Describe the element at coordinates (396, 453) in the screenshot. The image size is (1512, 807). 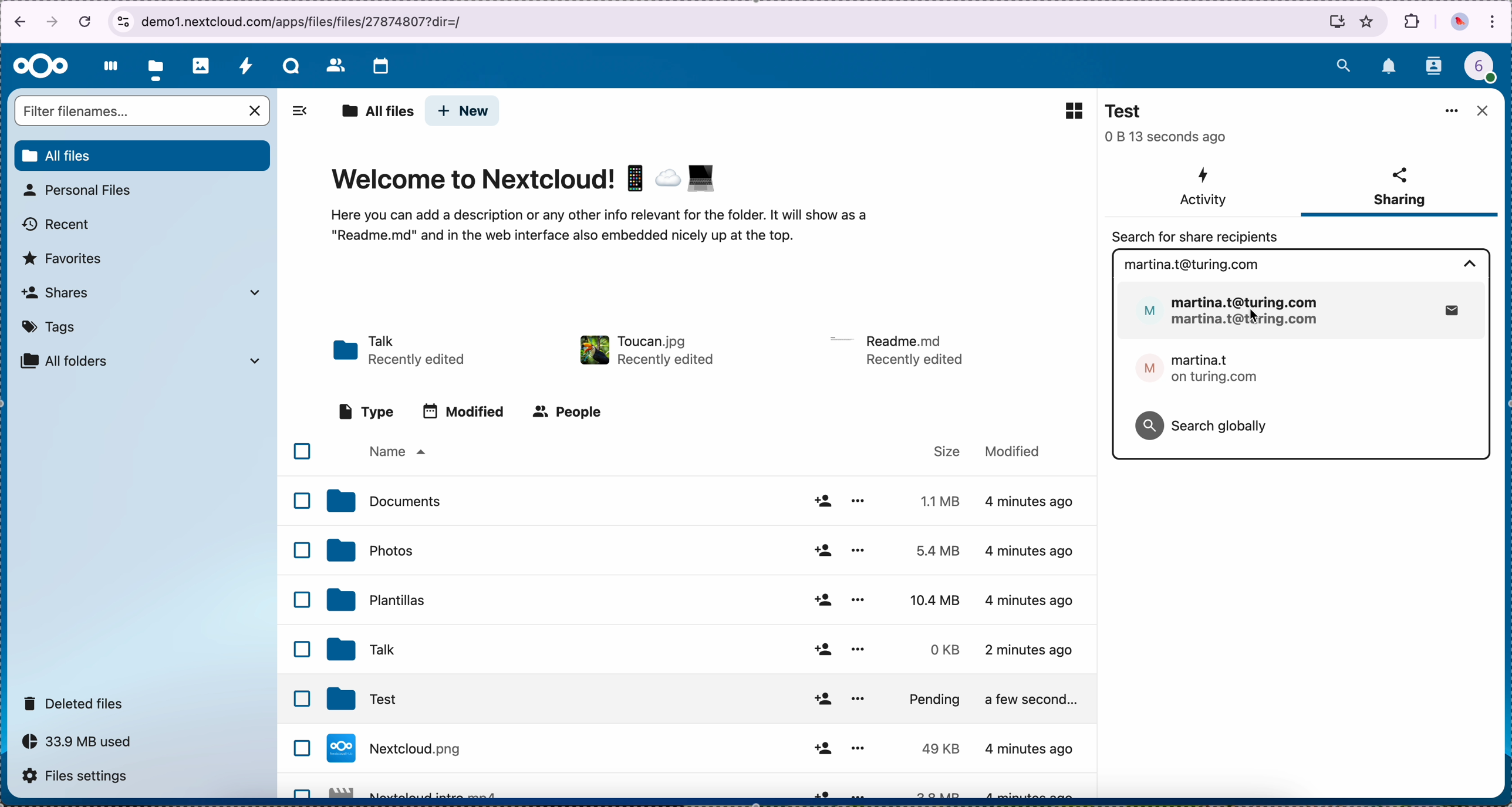
I see `name` at that location.